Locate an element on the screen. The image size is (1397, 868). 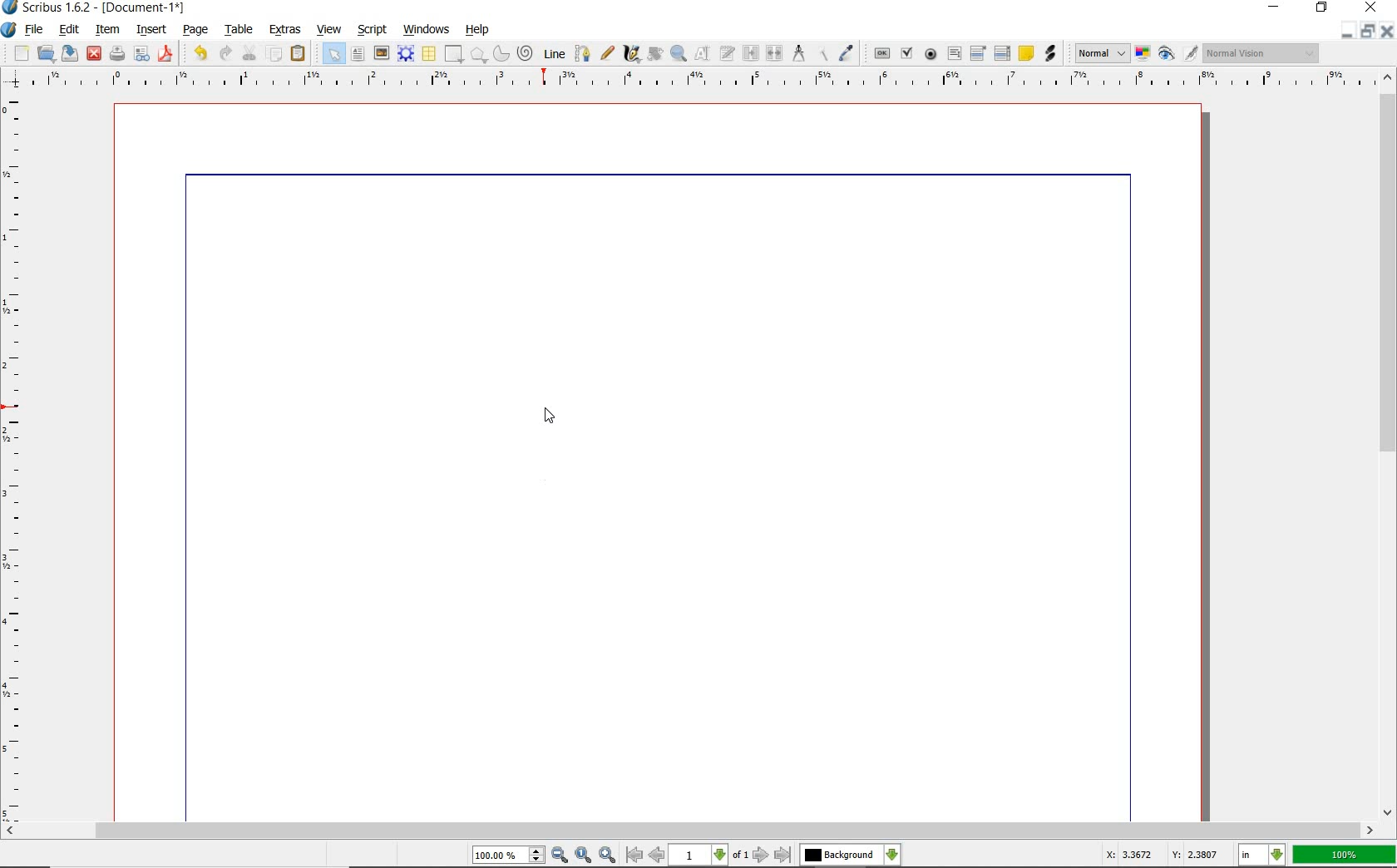
freehand line is located at coordinates (606, 52).